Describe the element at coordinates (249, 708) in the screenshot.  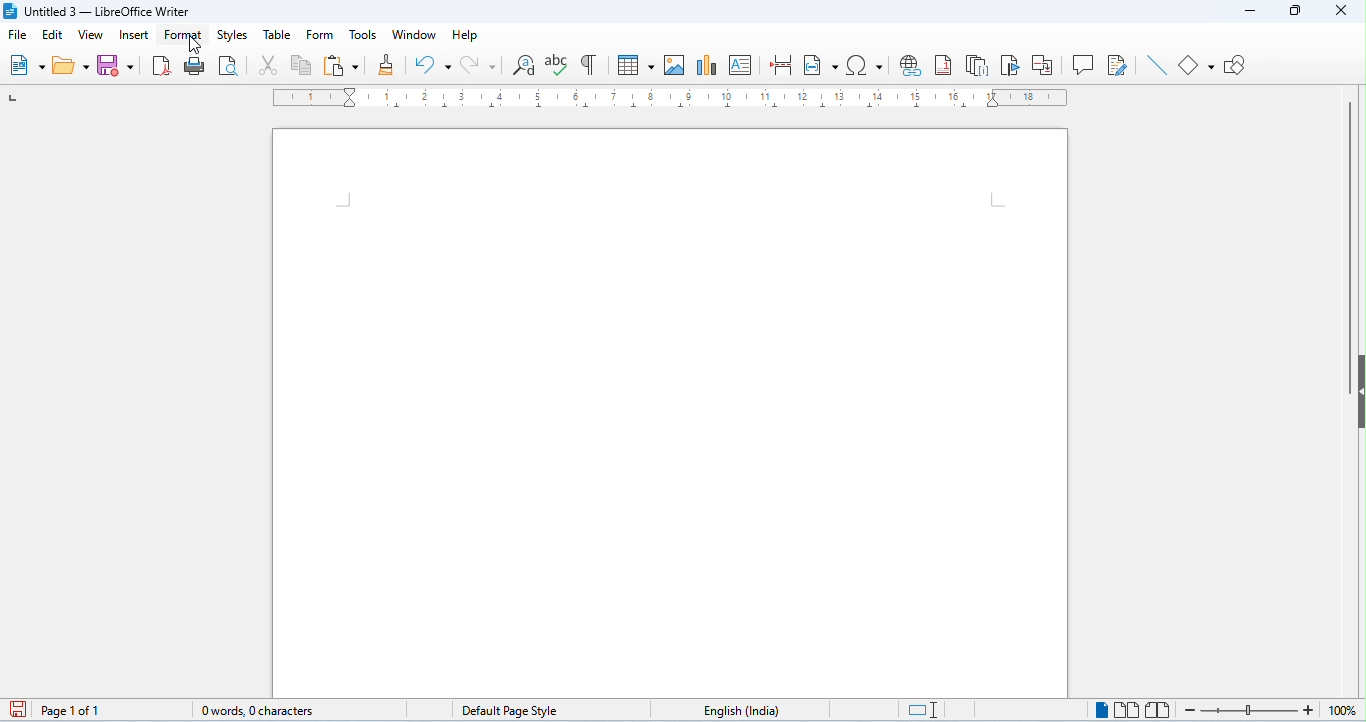
I see `0 words, 0 characters` at that location.